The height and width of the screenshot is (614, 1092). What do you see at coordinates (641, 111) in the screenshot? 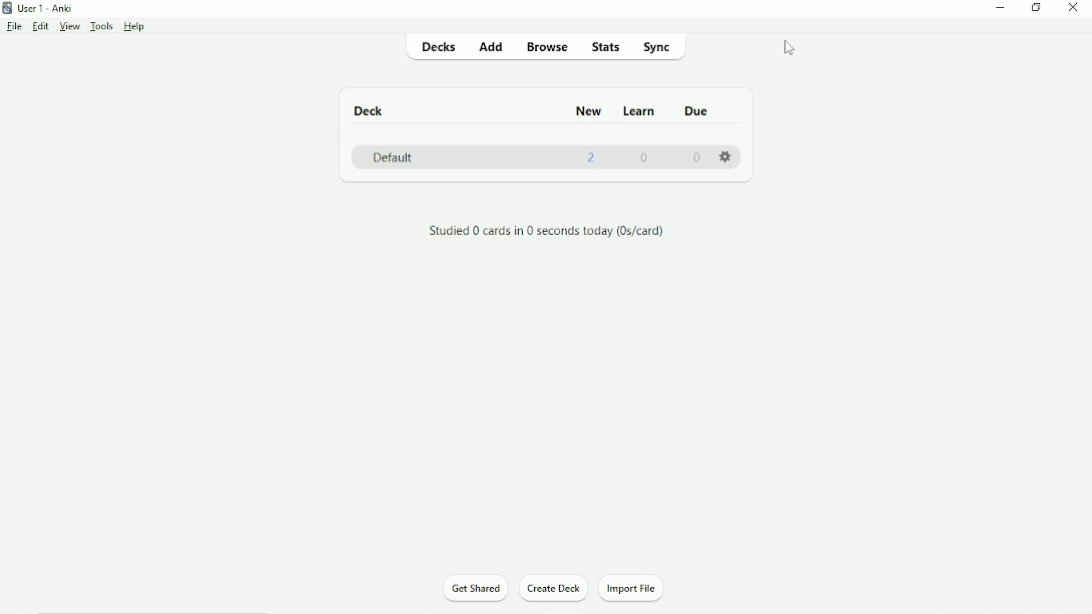
I see `Learn` at bounding box center [641, 111].